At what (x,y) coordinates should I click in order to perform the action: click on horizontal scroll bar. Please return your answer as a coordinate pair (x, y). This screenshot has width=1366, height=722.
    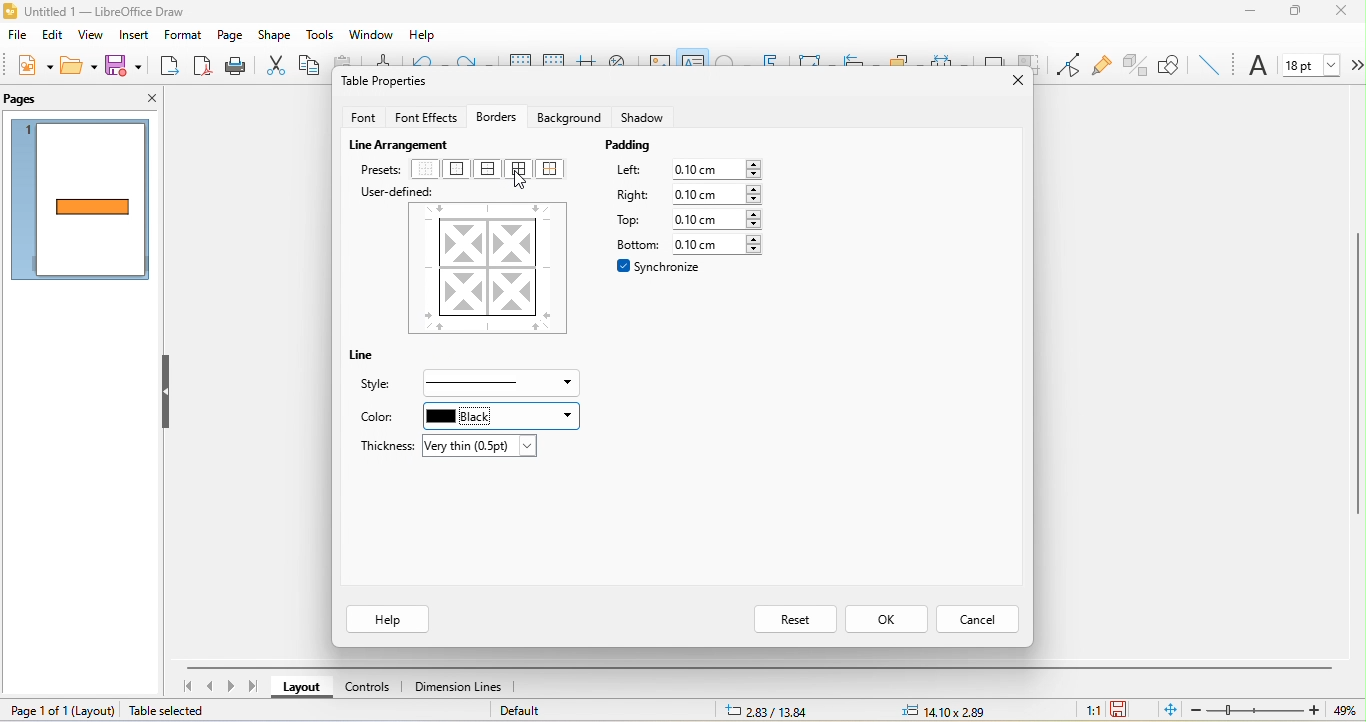
    Looking at the image, I should click on (759, 667).